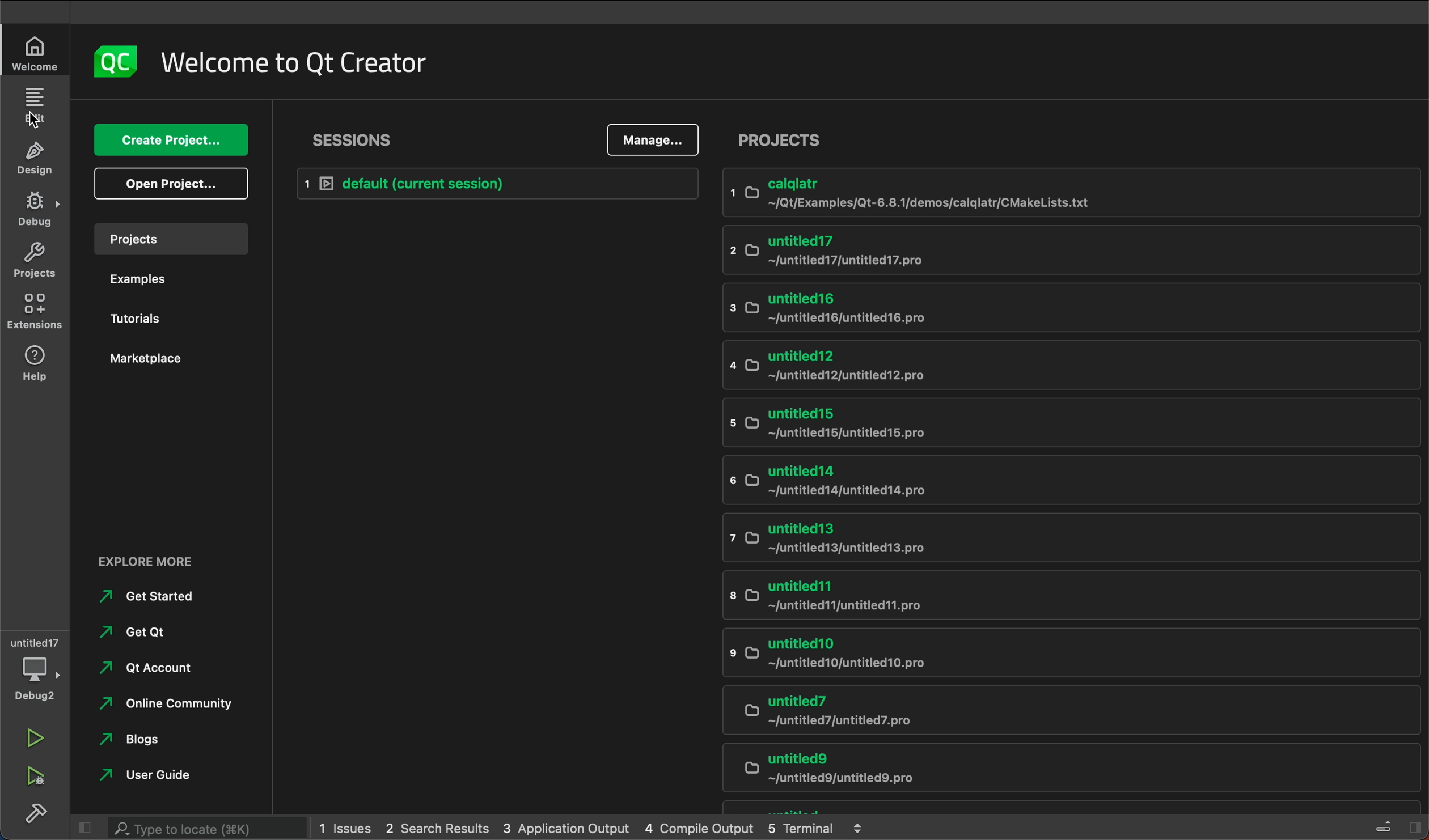 The width and height of the screenshot is (1429, 840). I want to click on open, so click(174, 181).